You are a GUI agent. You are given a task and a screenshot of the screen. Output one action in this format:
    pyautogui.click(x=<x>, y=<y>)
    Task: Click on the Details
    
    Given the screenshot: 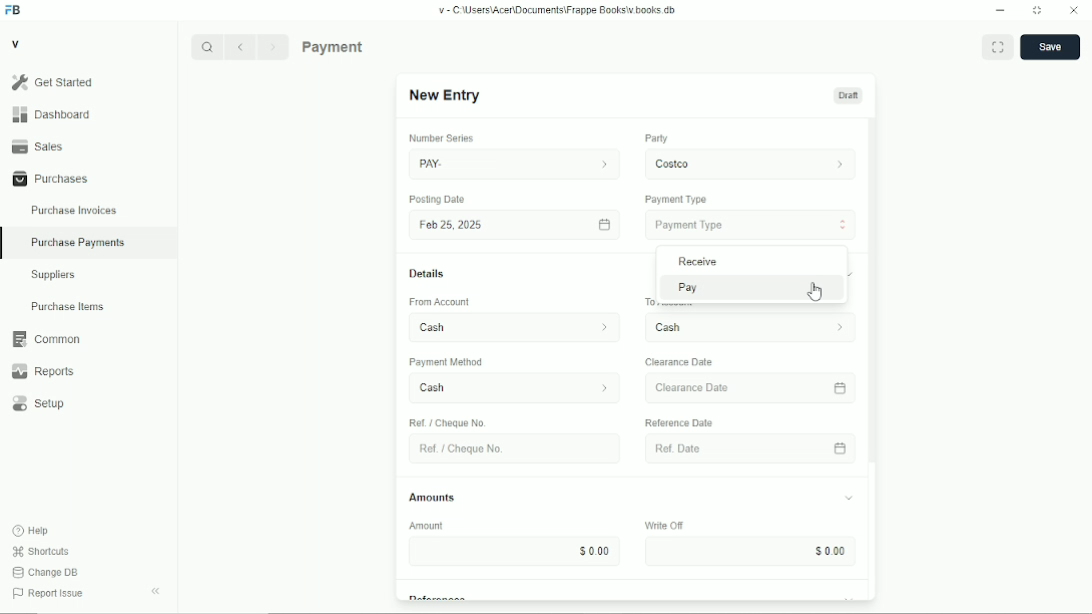 What is the action you would take?
    pyautogui.click(x=427, y=274)
    